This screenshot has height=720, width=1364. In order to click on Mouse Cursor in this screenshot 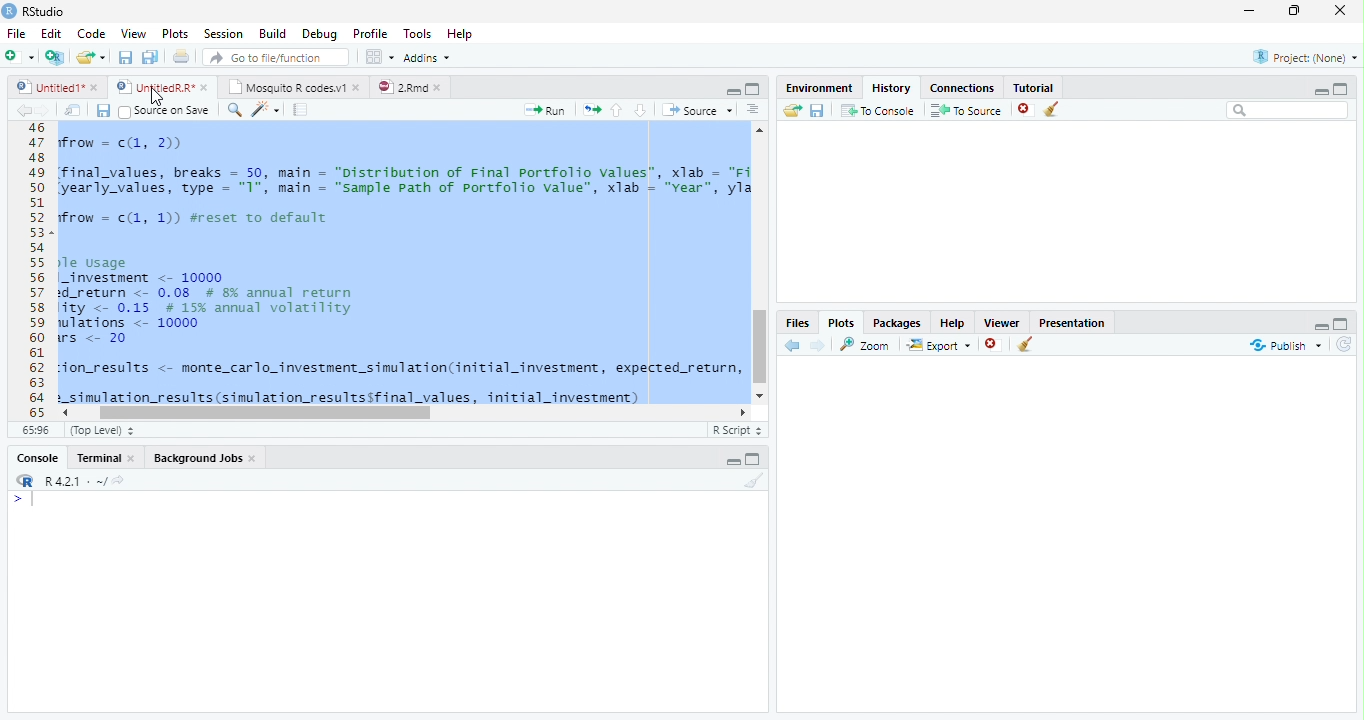, I will do `click(155, 97)`.